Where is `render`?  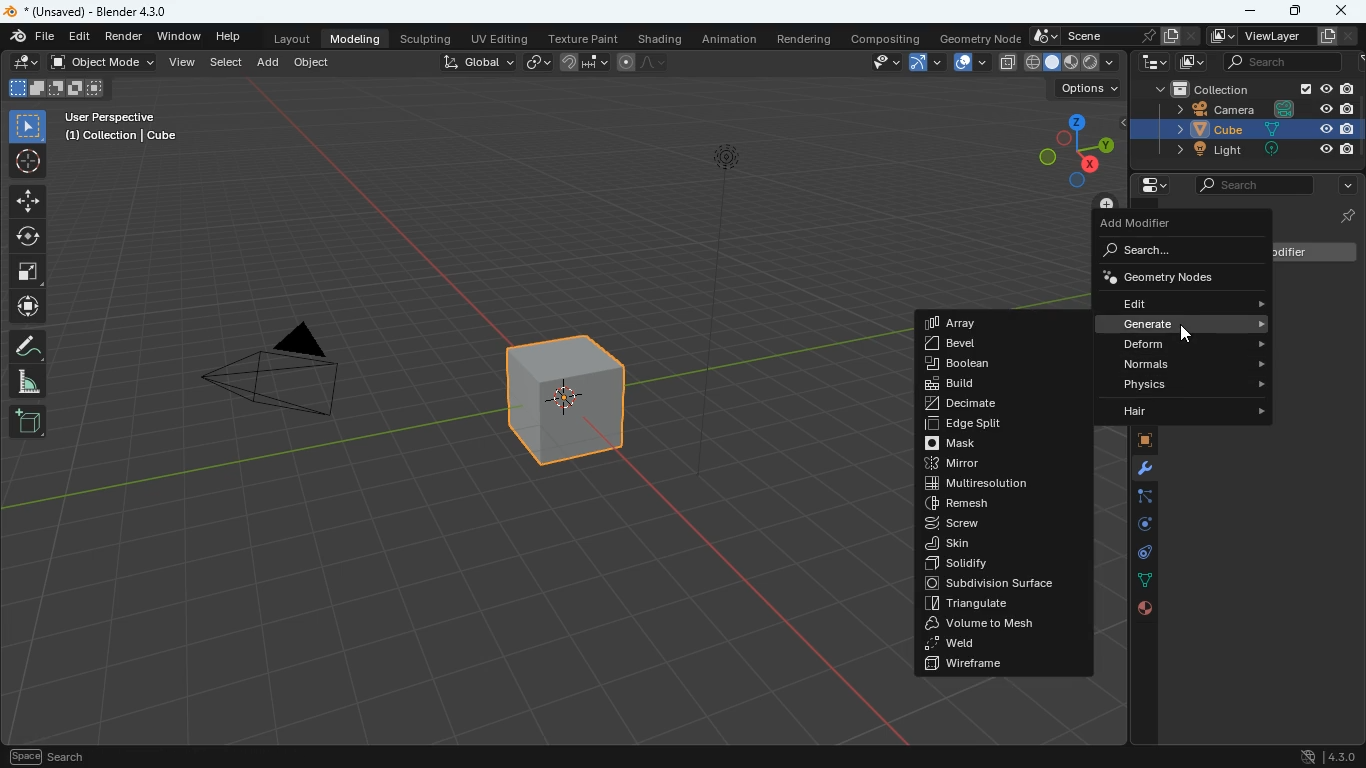
render is located at coordinates (126, 39).